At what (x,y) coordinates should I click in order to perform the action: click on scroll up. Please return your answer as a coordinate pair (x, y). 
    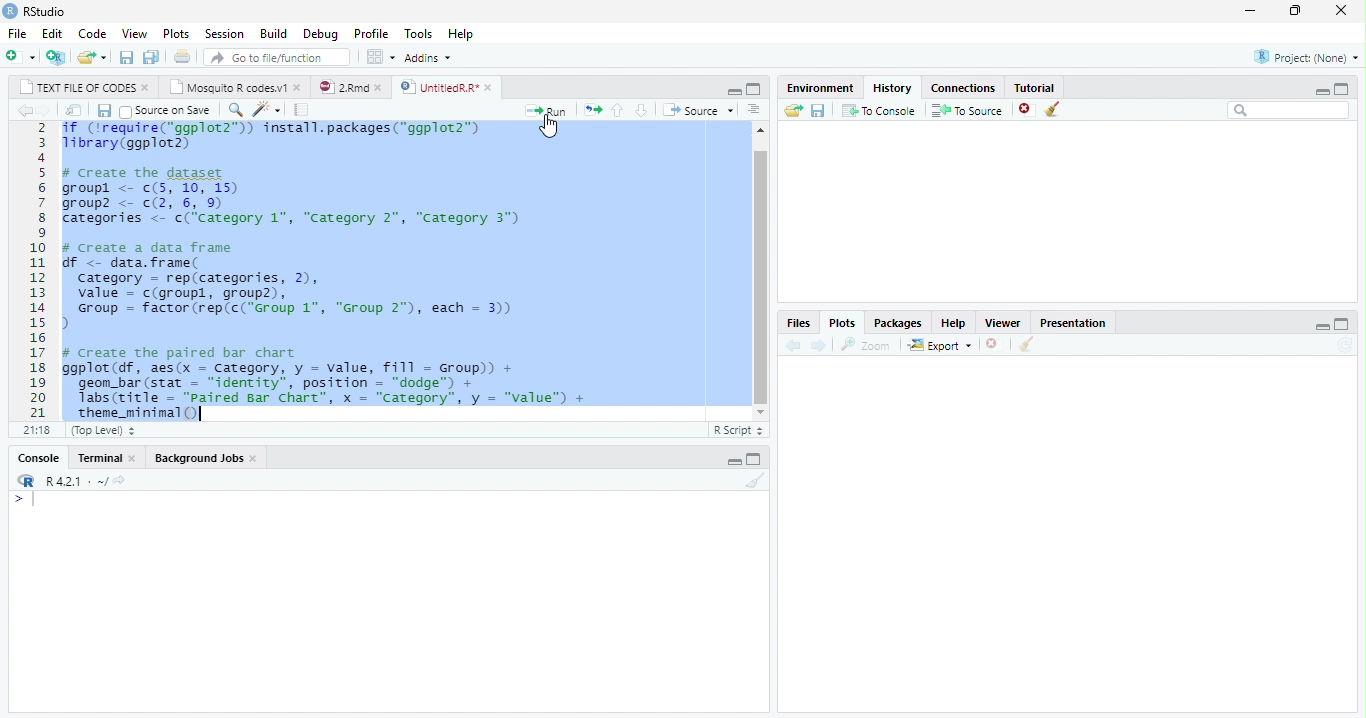
    Looking at the image, I should click on (761, 130).